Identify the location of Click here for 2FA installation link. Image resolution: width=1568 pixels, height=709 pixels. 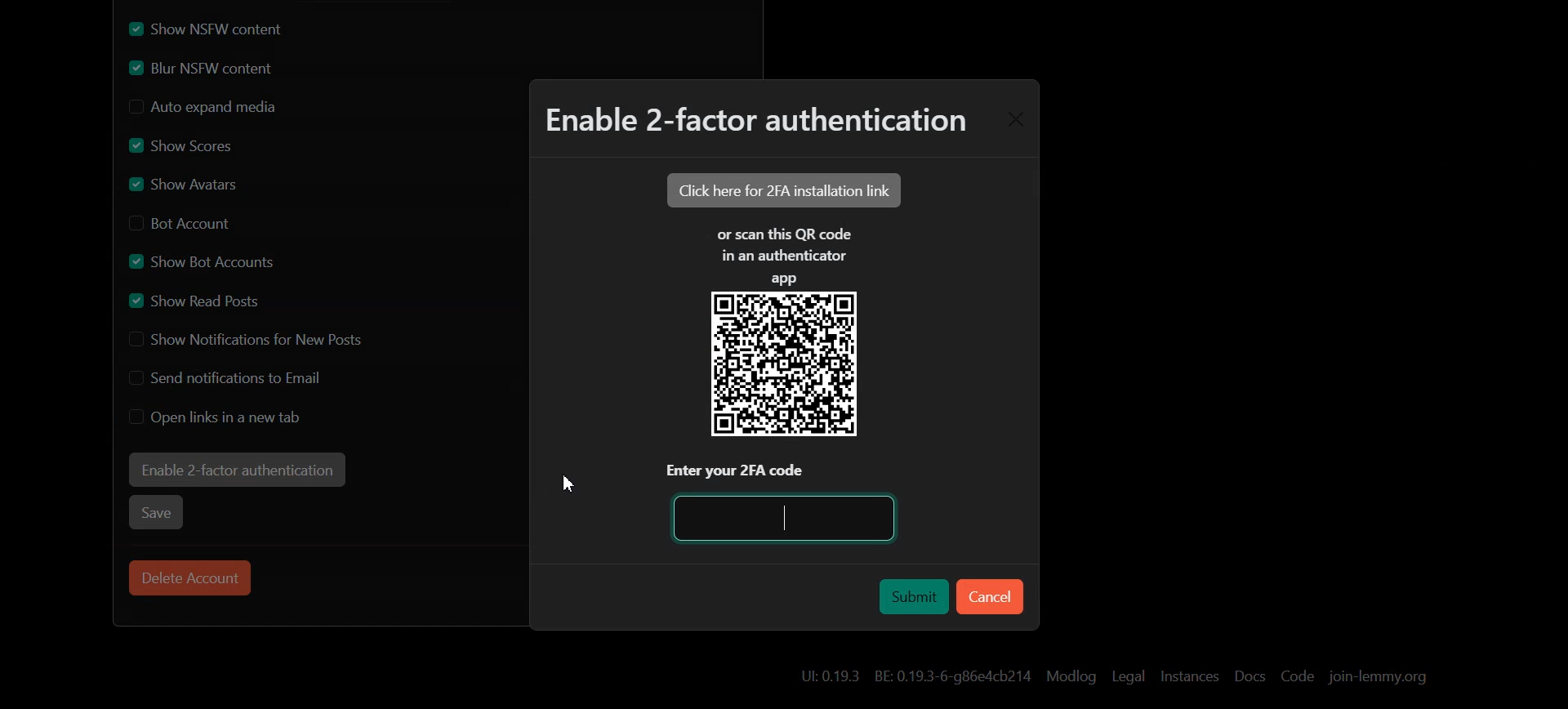
(782, 190).